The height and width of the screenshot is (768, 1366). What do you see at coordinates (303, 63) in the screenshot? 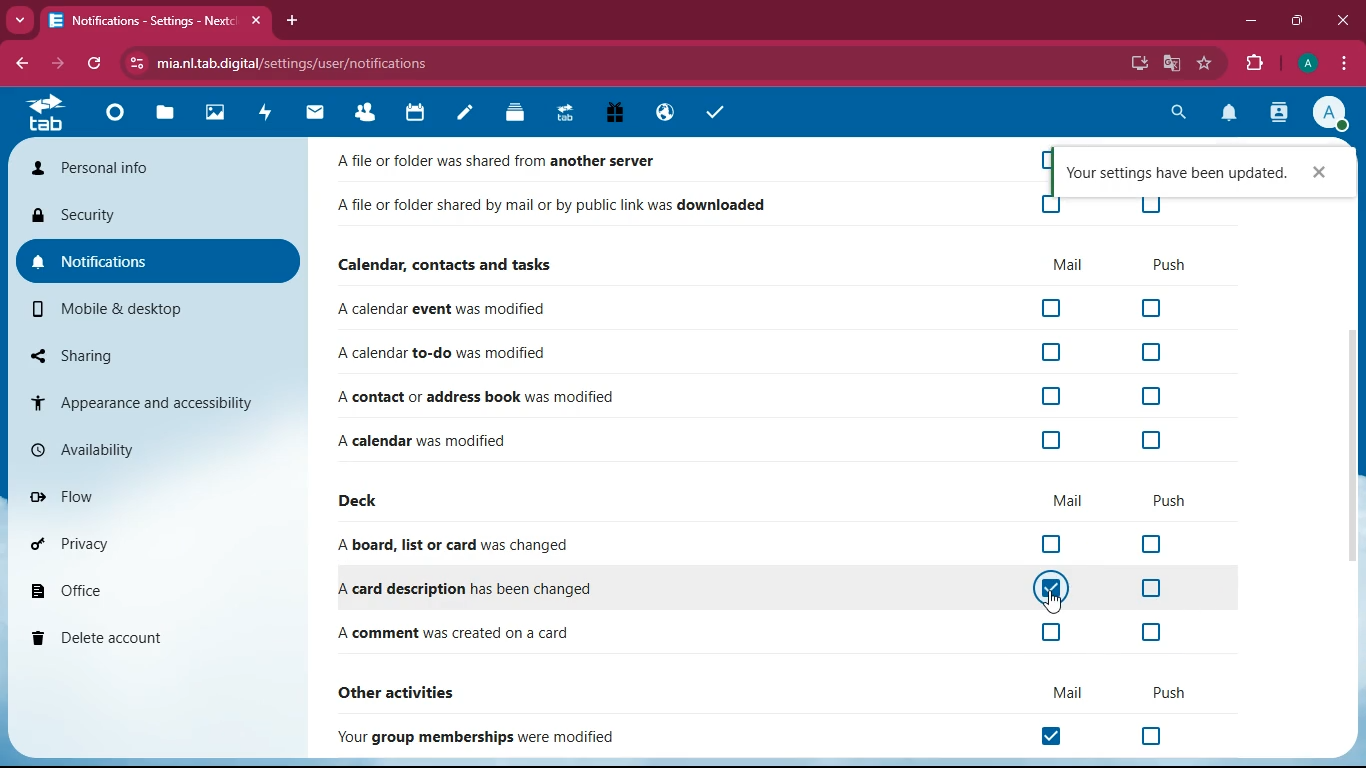
I see `mia.nl.tab.digital/settings/user/notifications` at bounding box center [303, 63].